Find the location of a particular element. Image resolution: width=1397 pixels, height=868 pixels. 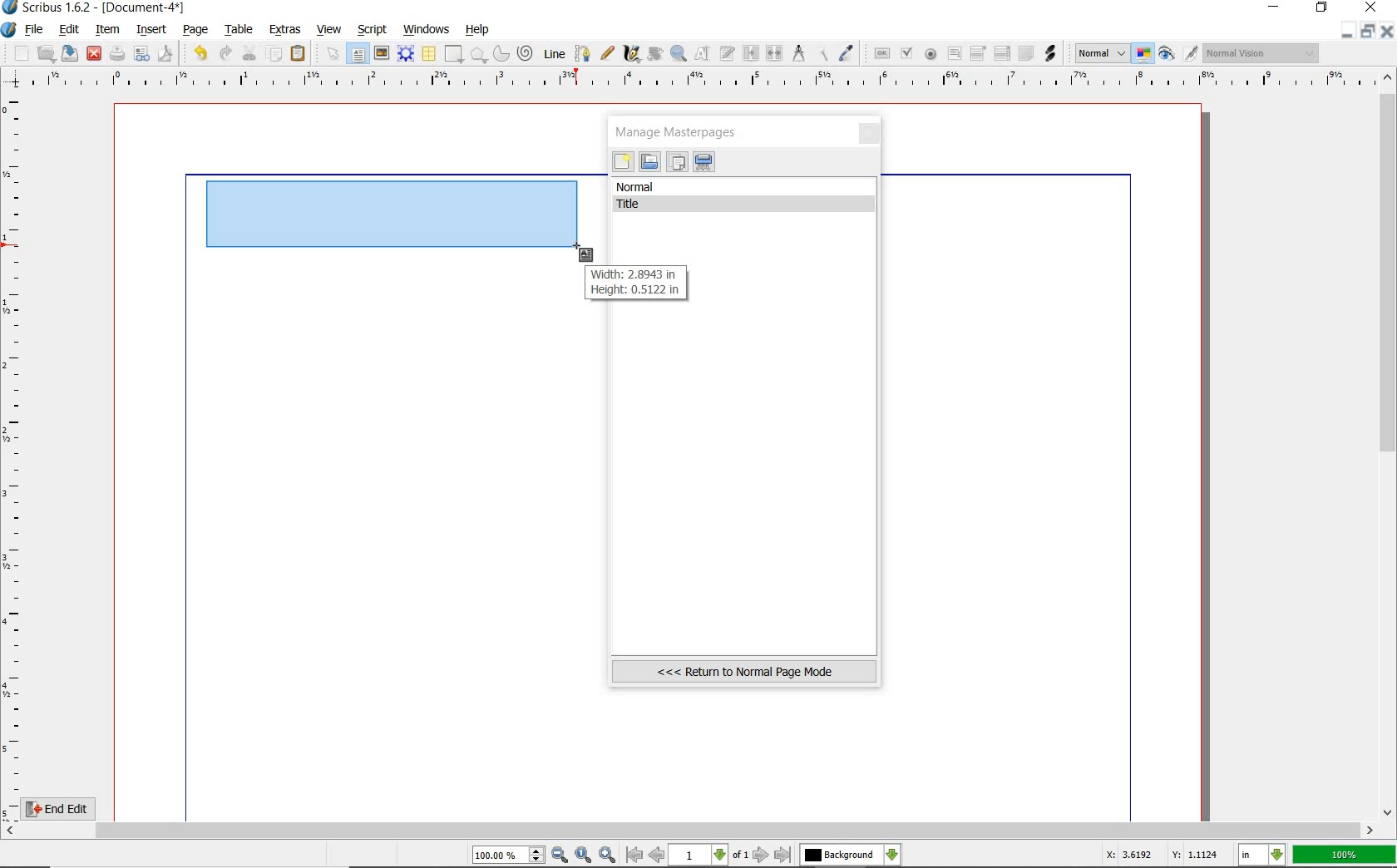

script is located at coordinates (373, 28).